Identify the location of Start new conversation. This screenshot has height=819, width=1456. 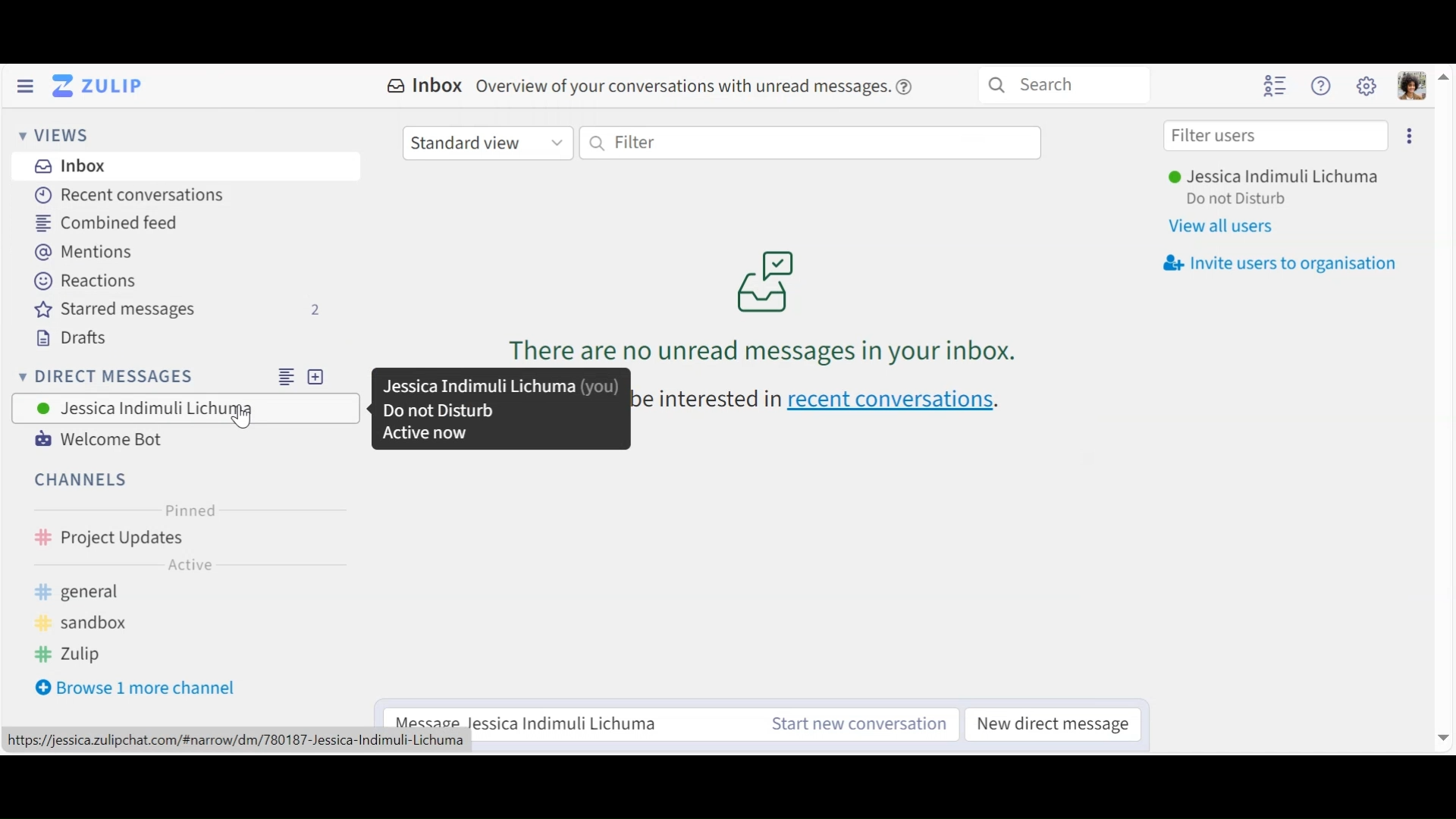
(858, 725).